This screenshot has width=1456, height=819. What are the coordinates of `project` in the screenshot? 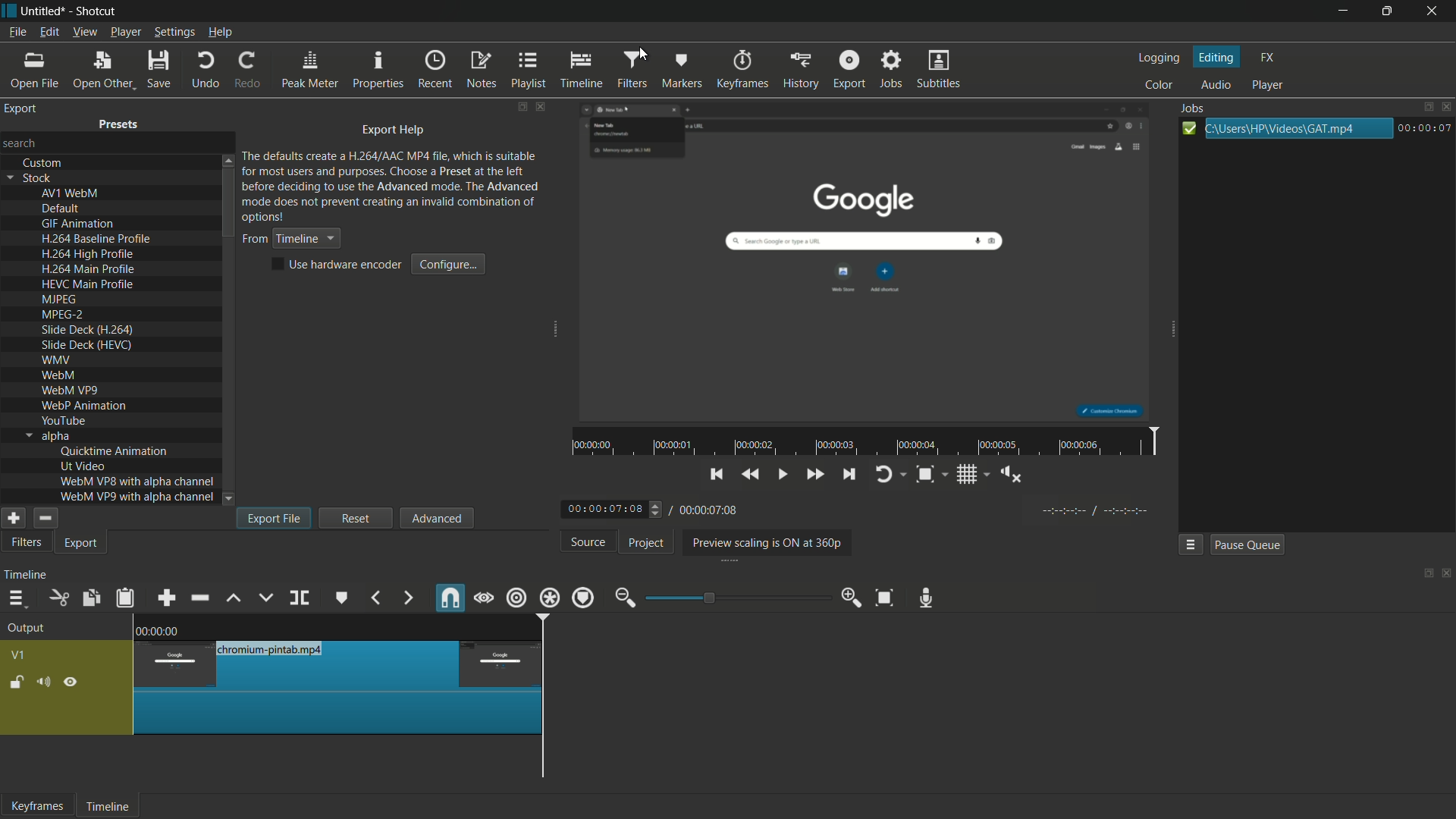 It's located at (647, 543).